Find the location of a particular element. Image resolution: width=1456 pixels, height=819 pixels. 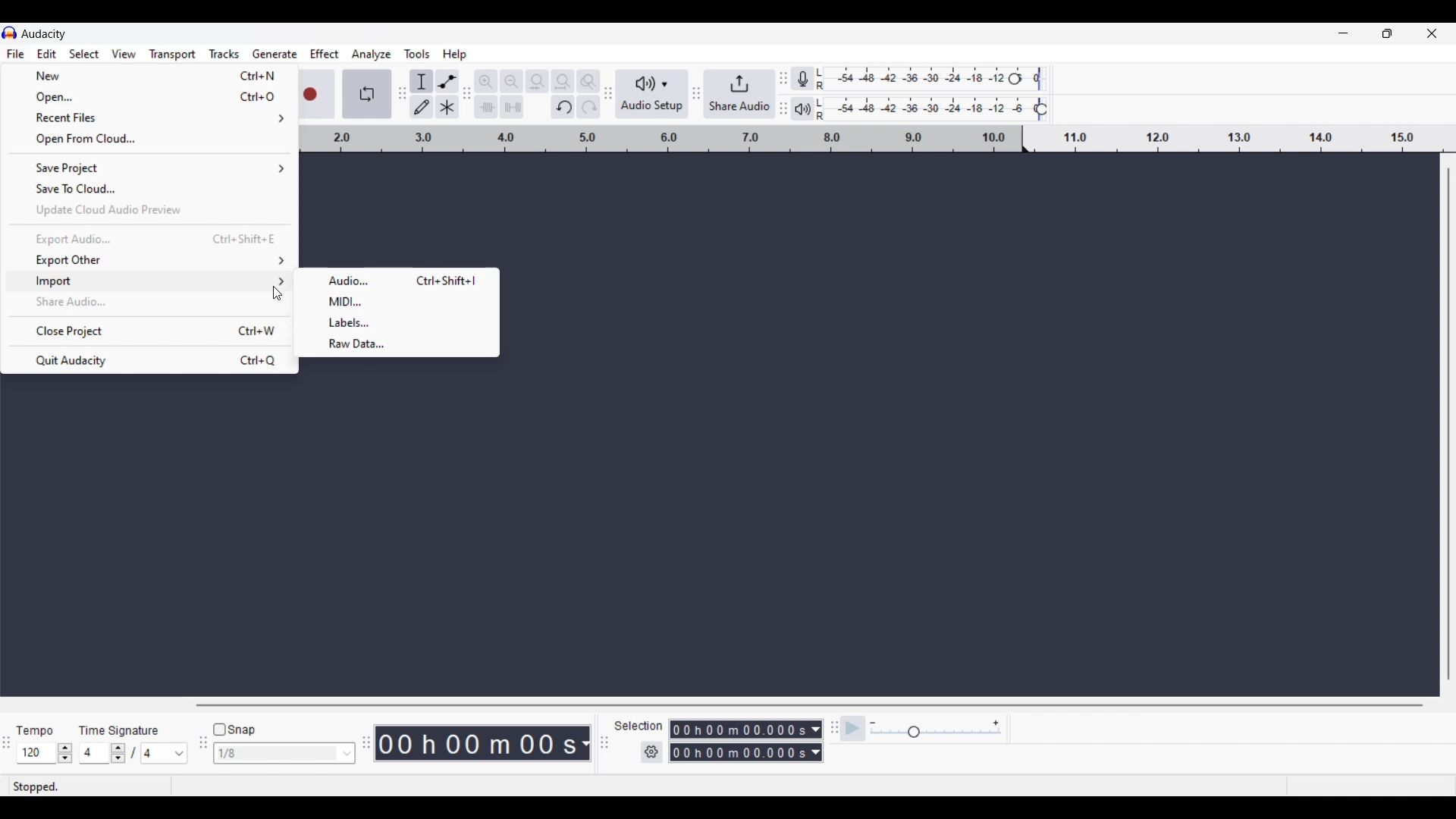

Import options is located at coordinates (149, 282).